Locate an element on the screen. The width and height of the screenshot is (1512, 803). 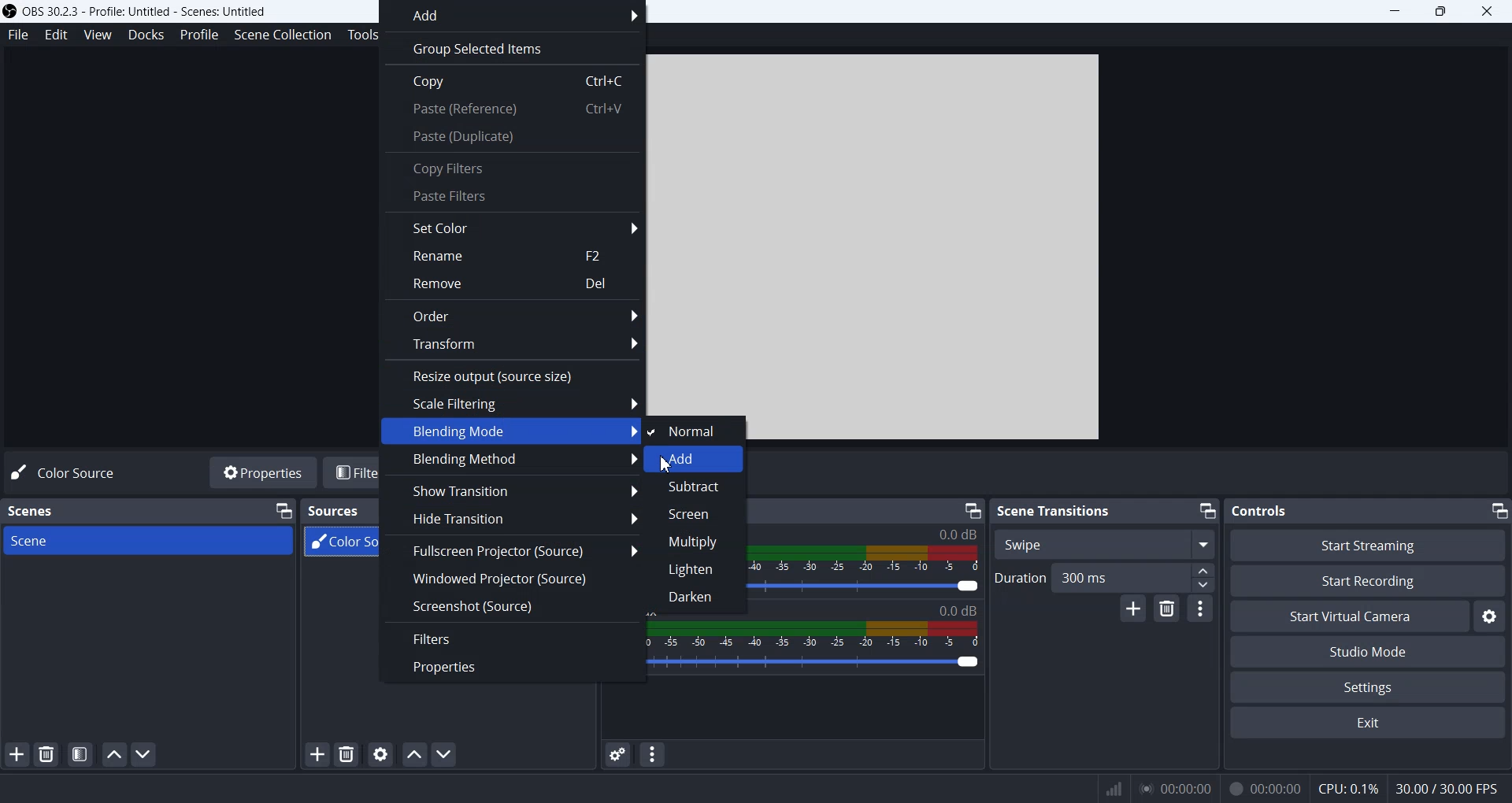
Paste (references) is located at coordinates (511, 112).